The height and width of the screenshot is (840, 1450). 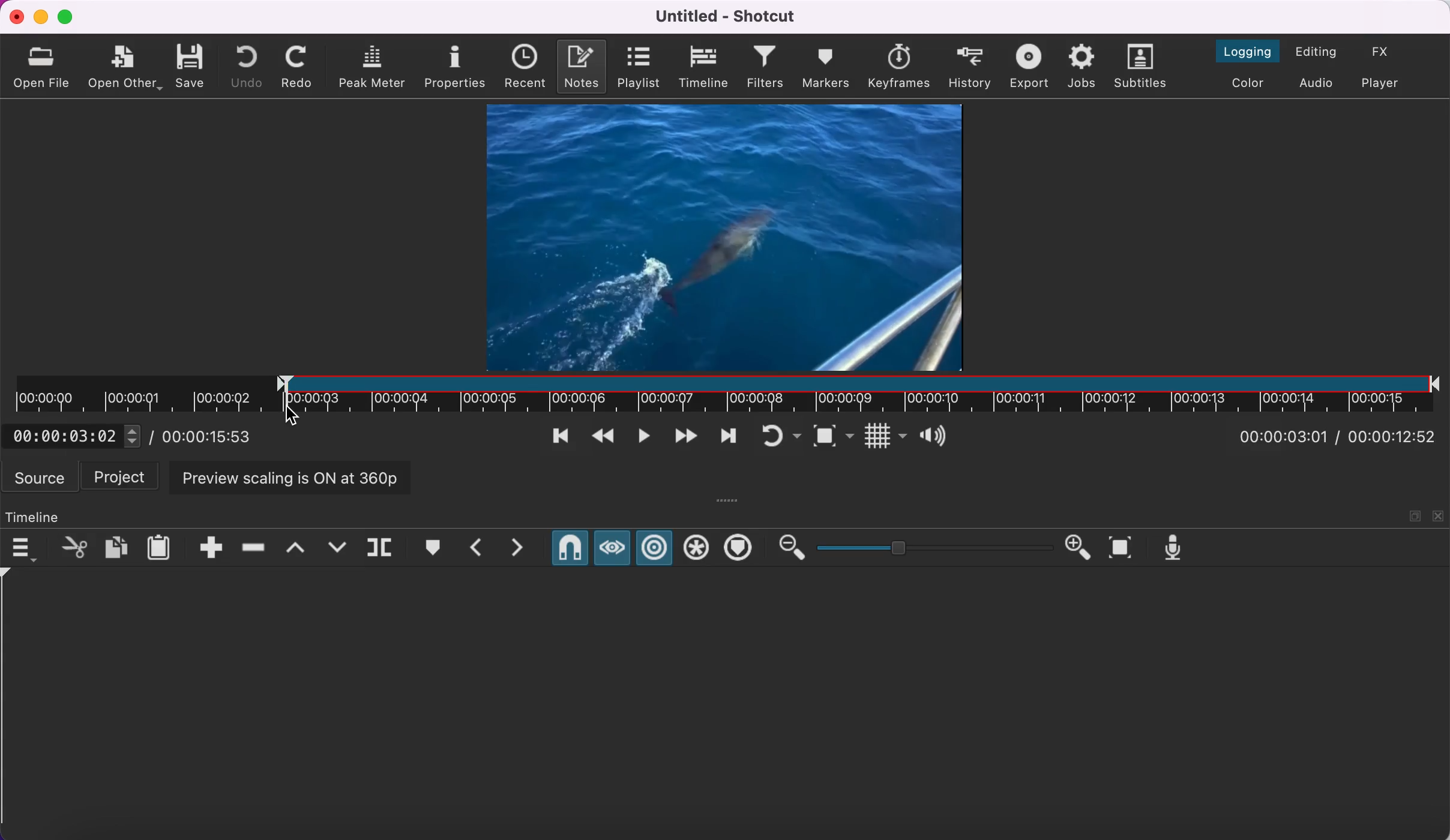 What do you see at coordinates (39, 478) in the screenshot?
I see `source` at bounding box center [39, 478].